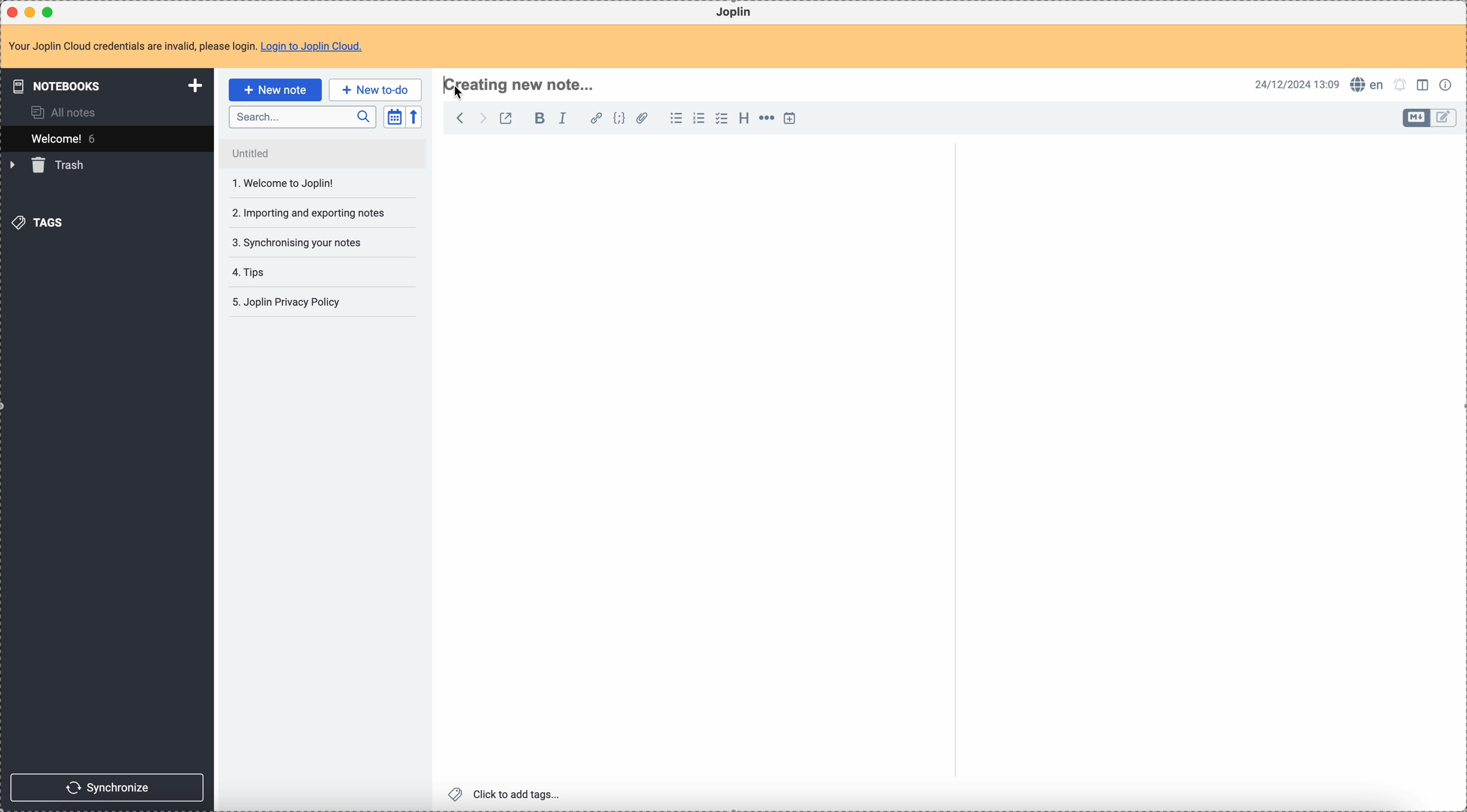  Describe the element at coordinates (507, 793) in the screenshot. I see `click to add tags` at that location.